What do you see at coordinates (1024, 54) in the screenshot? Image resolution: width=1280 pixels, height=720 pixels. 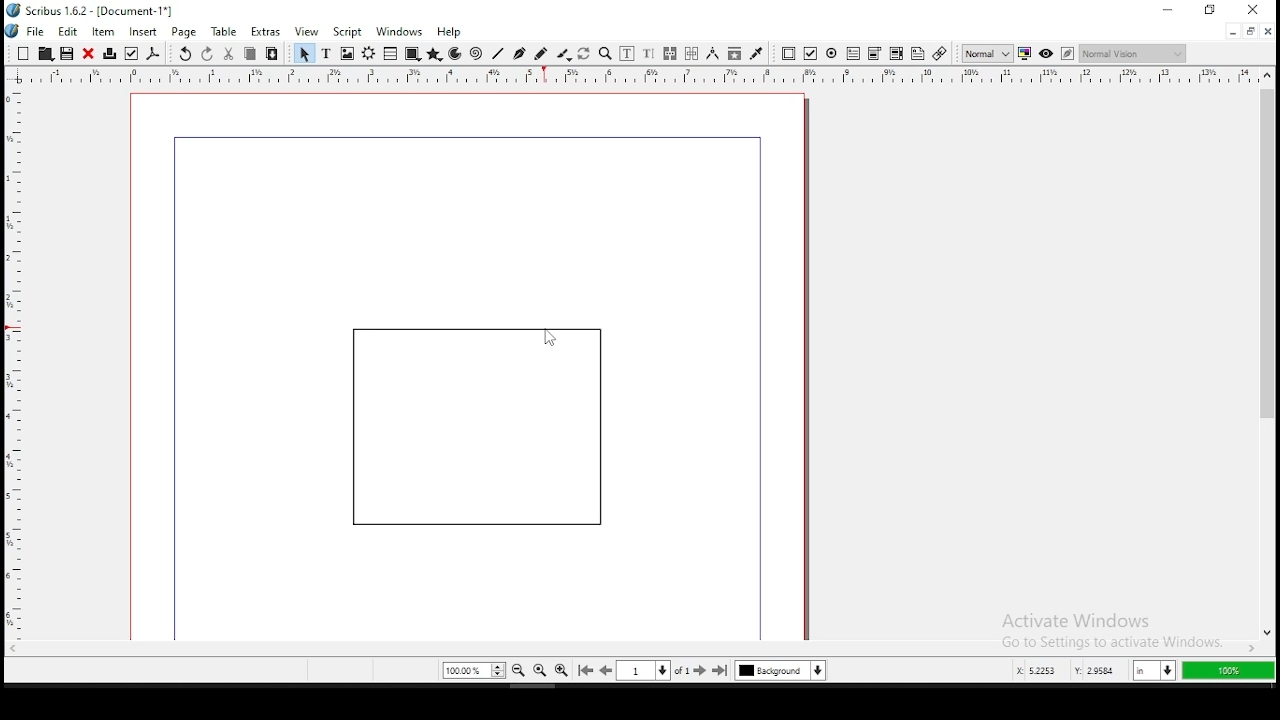 I see `toggle color management system` at bounding box center [1024, 54].